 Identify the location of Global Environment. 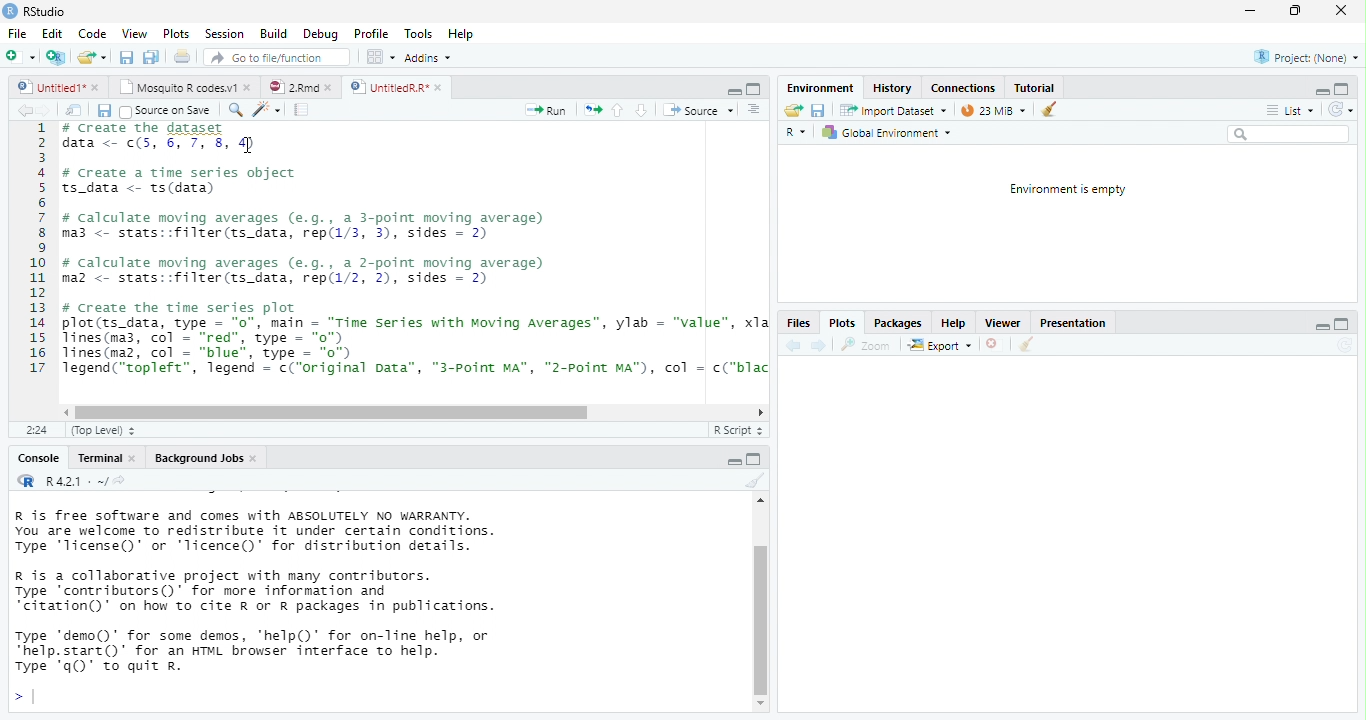
(886, 133).